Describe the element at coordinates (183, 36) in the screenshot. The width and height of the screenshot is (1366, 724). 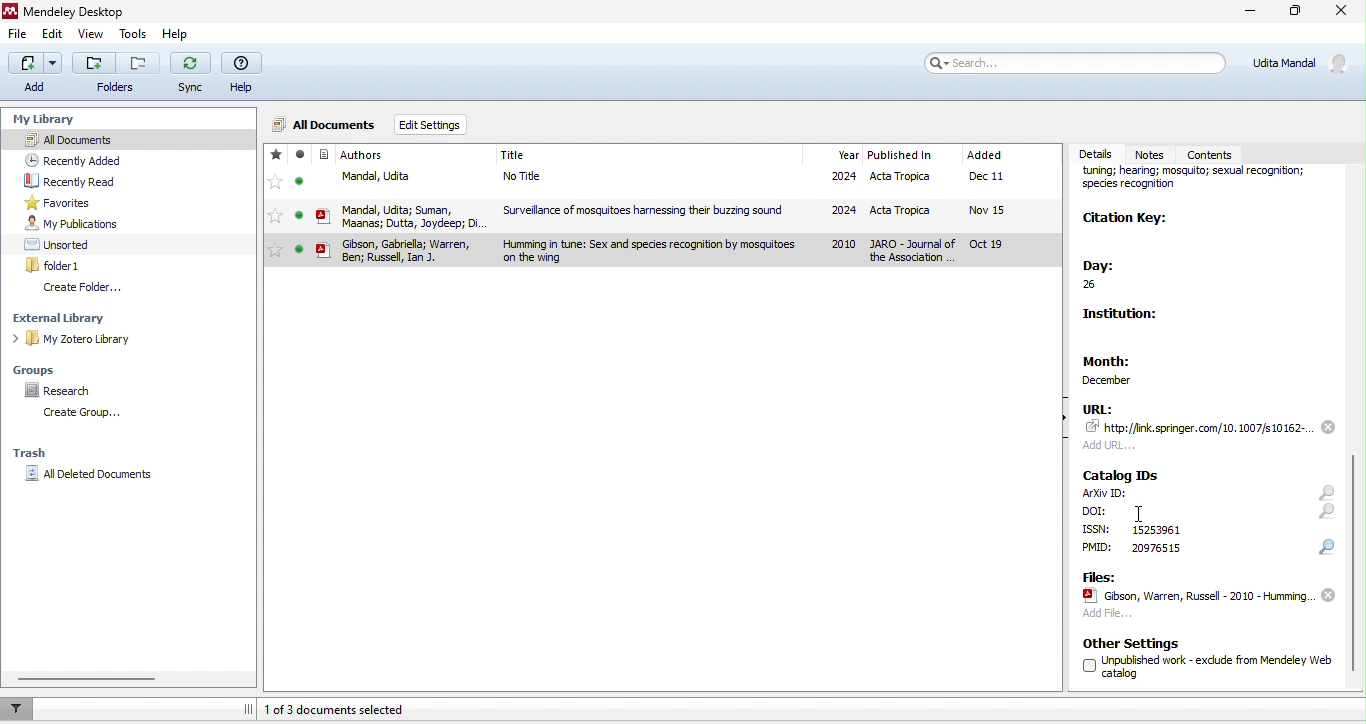
I see `help` at that location.